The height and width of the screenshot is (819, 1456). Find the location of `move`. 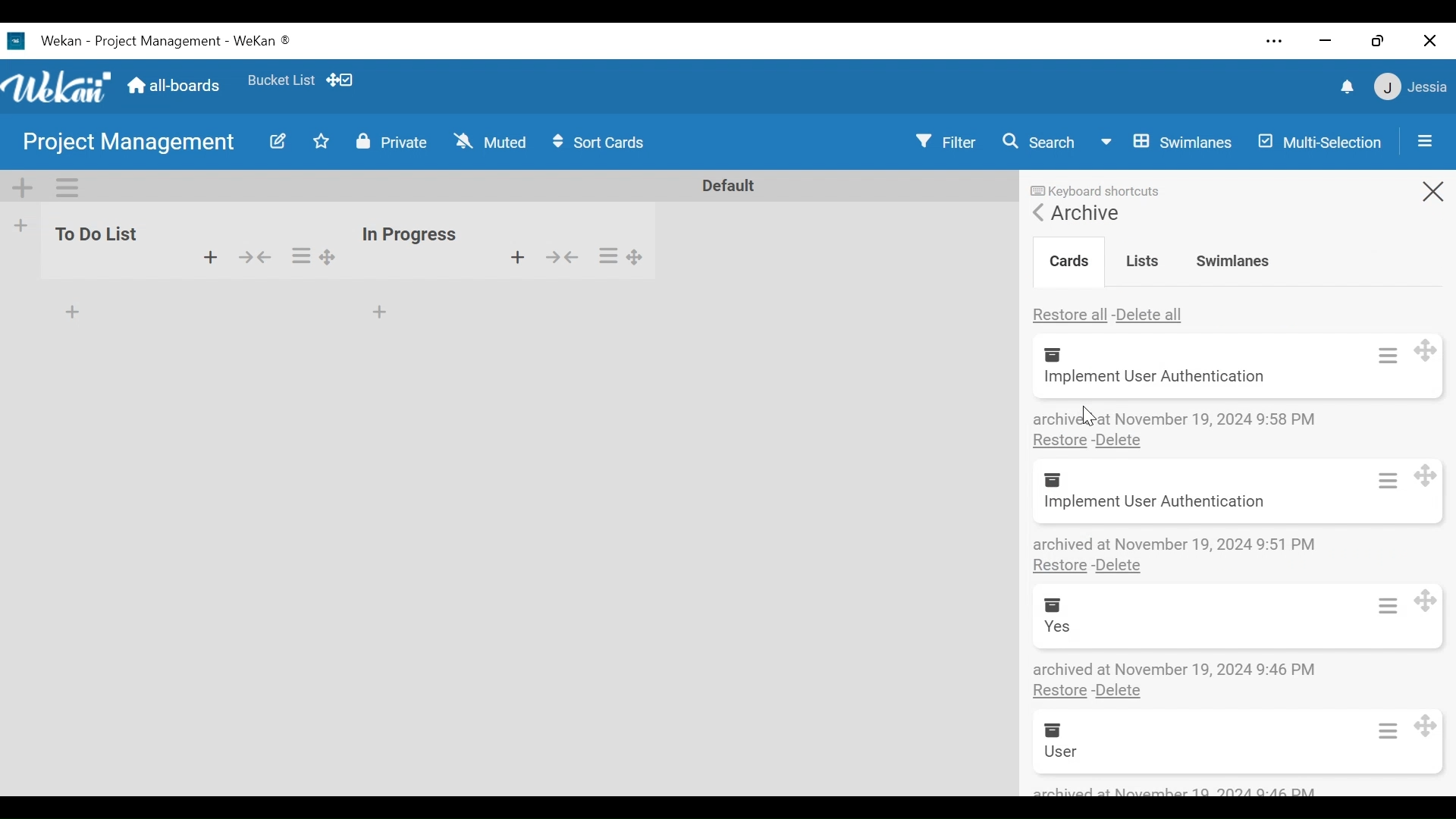

move is located at coordinates (1429, 606).